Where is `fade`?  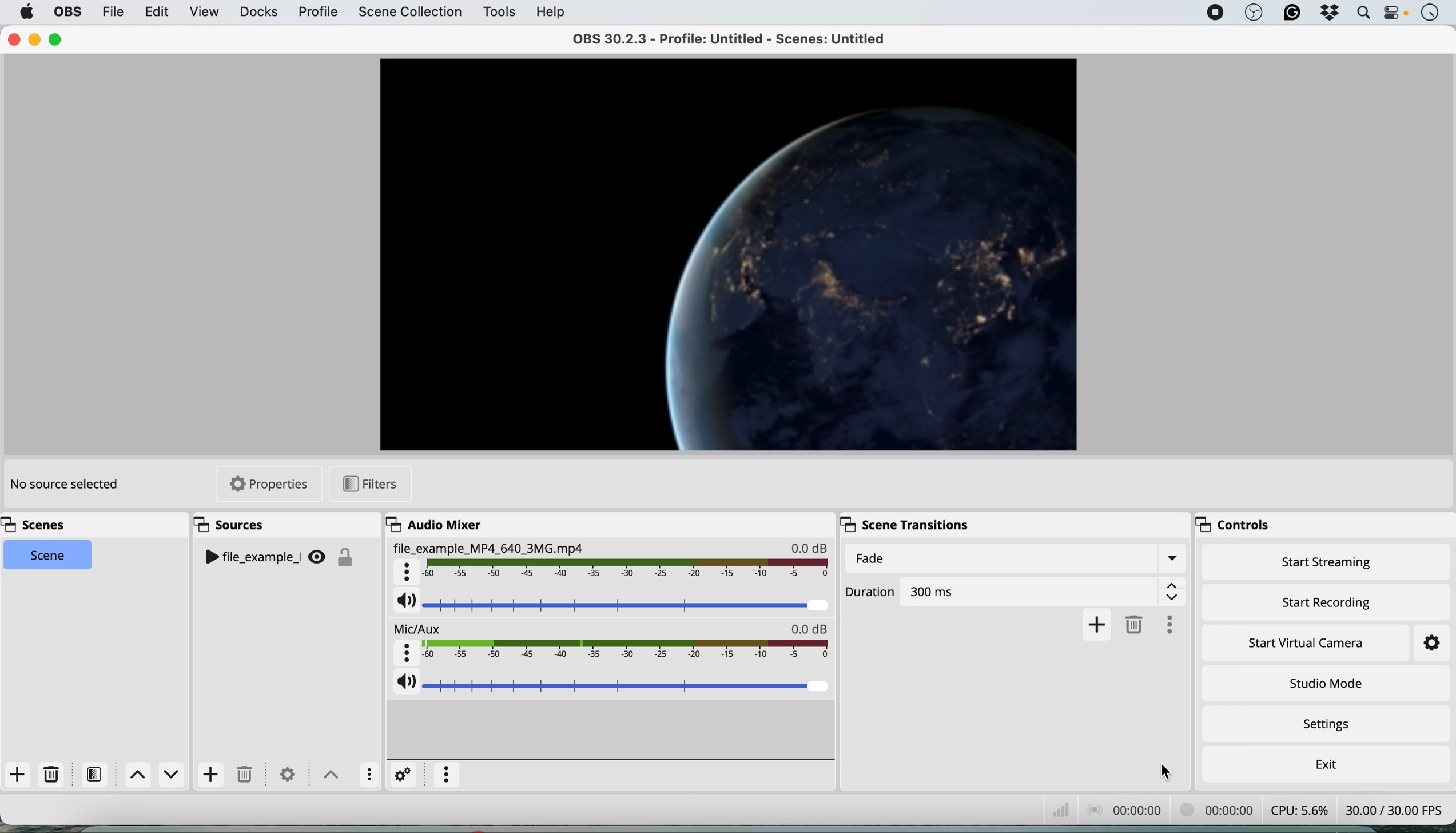
fade is located at coordinates (1014, 559).